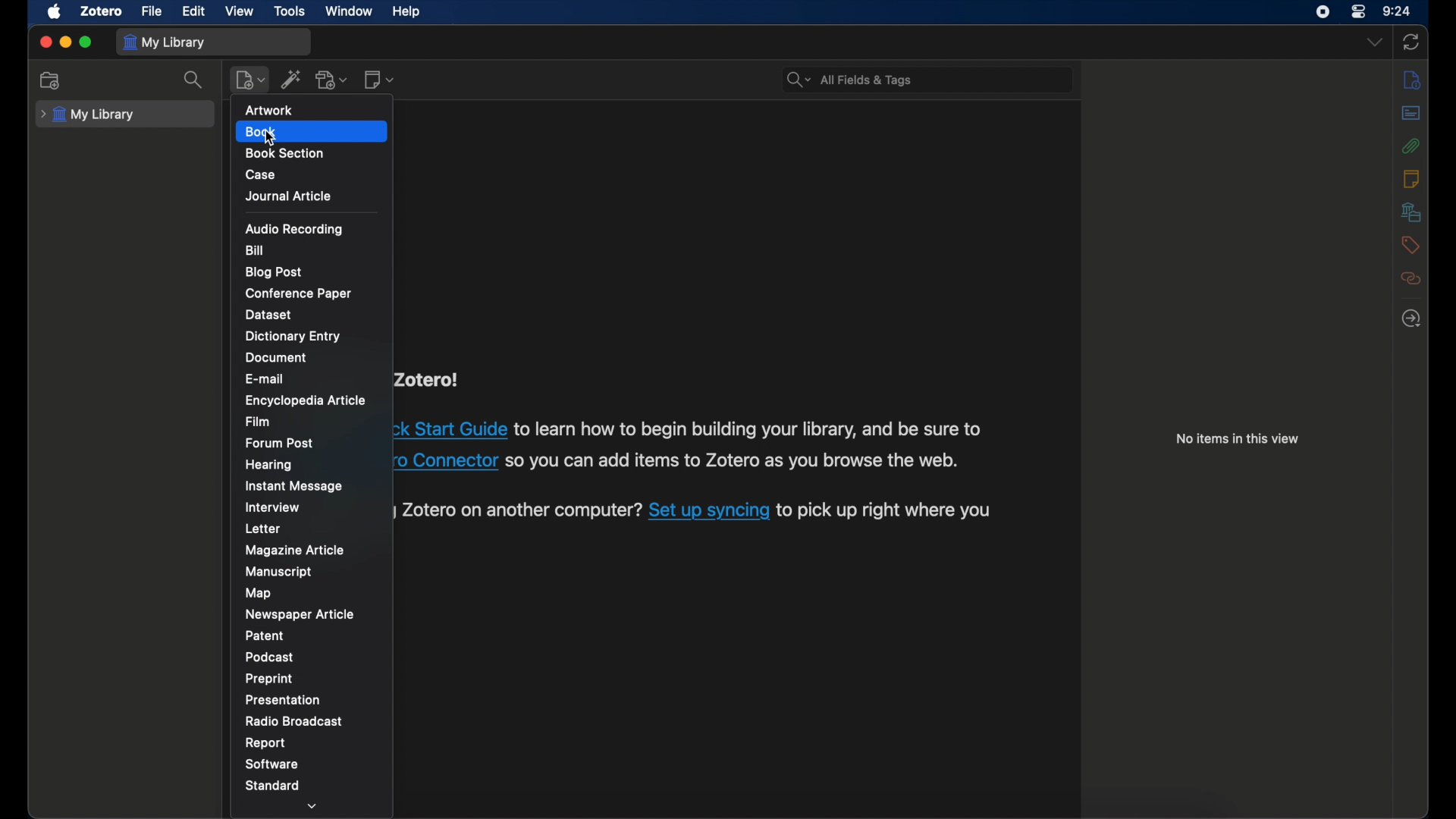 This screenshot has height=819, width=1456. What do you see at coordinates (269, 464) in the screenshot?
I see `hearing` at bounding box center [269, 464].